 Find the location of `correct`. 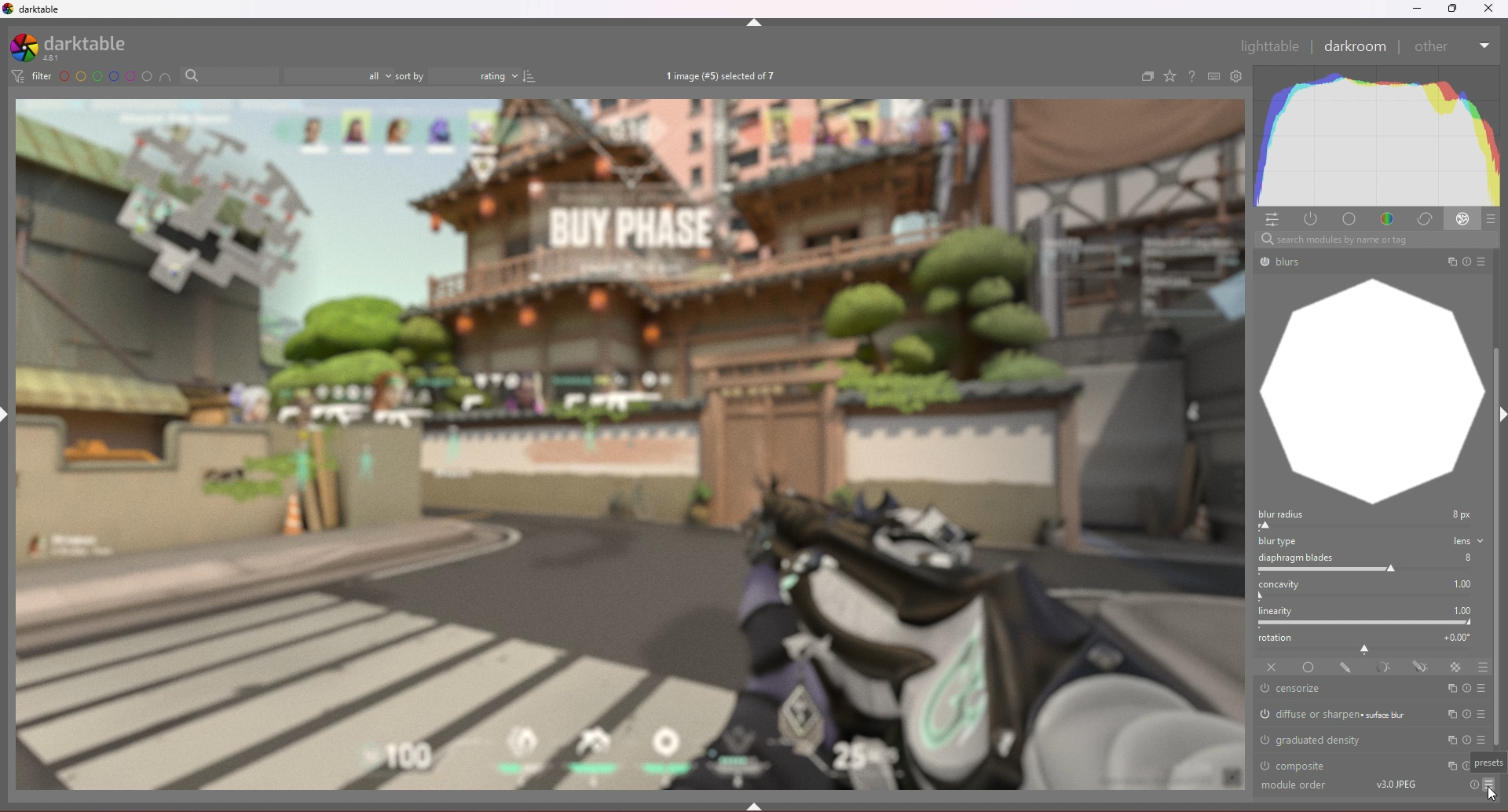

correct is located at coordinates (1424, 219).